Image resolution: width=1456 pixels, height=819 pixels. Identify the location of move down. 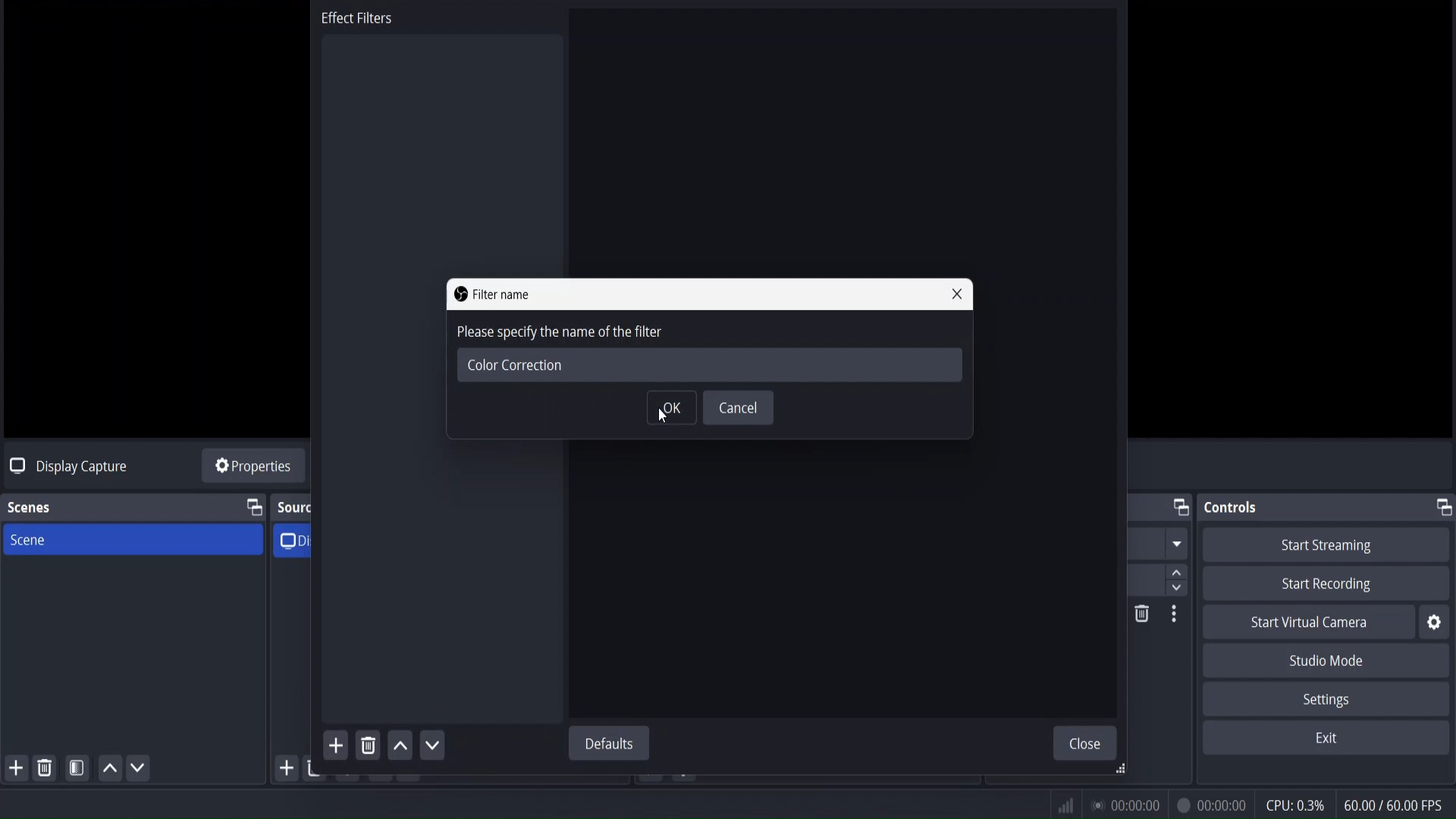
(435, 744).